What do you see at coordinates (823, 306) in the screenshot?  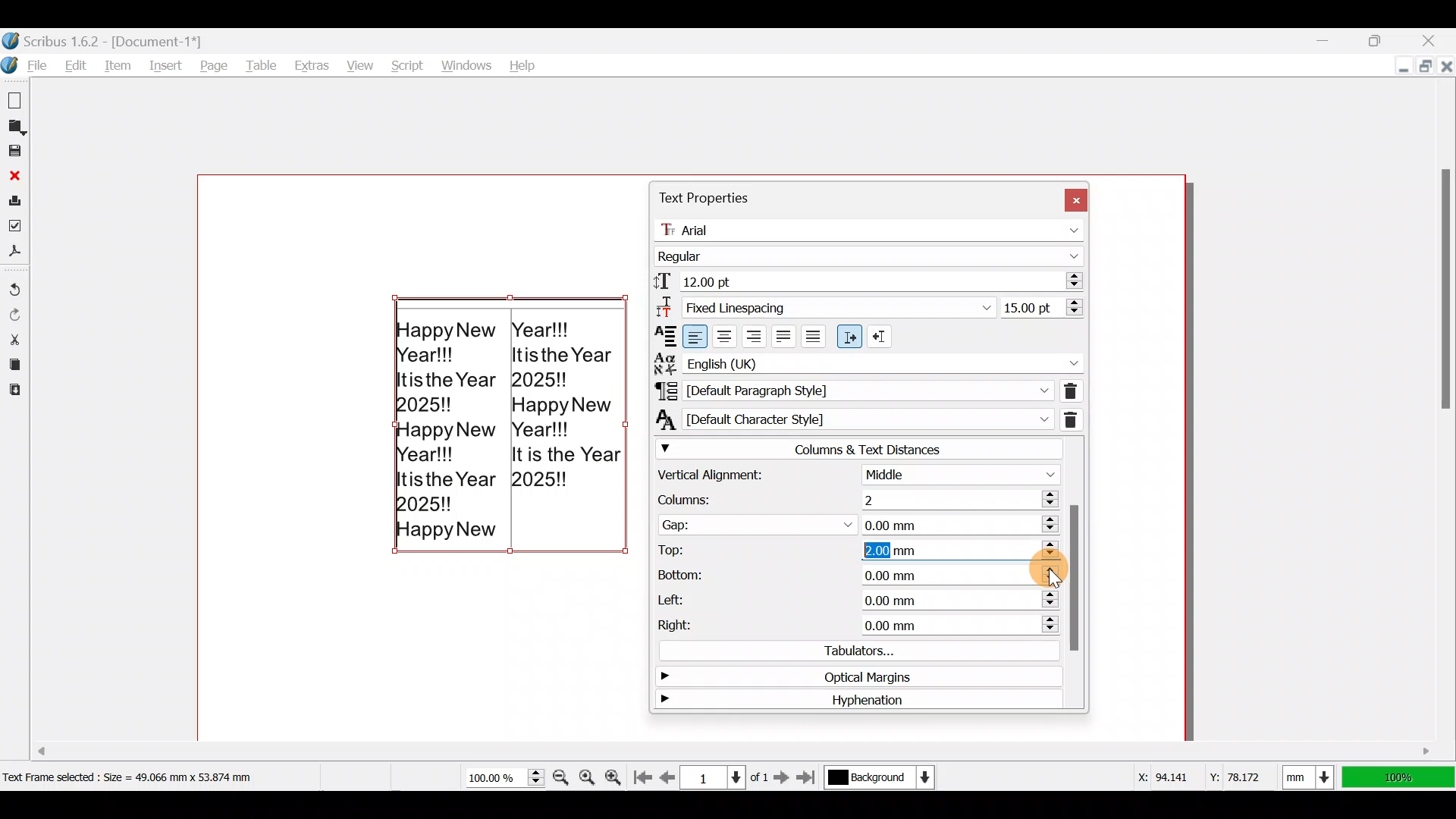 I see `Select line spacing mode` at bounding box center [823, 306].